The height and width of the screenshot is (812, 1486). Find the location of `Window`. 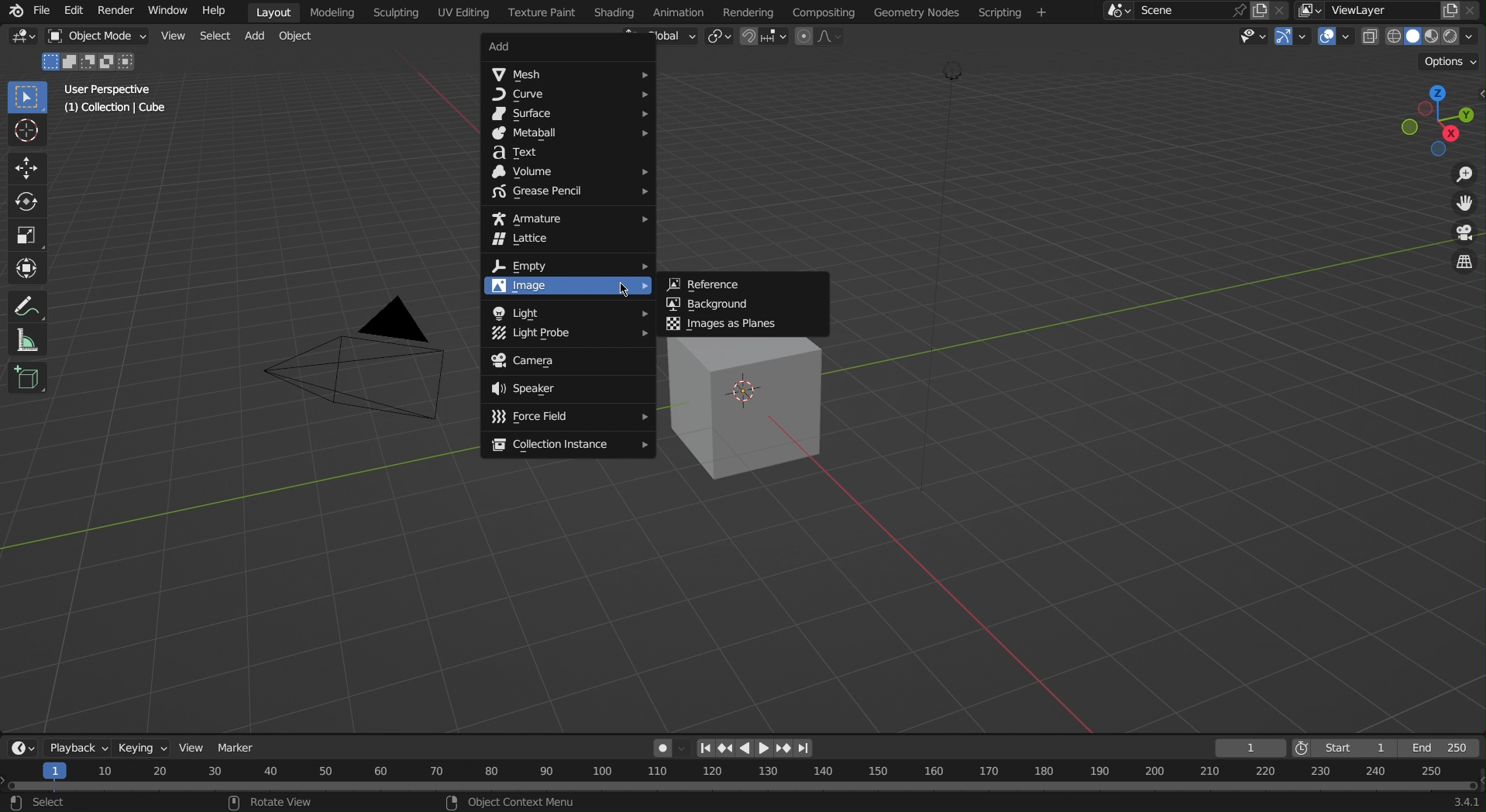

Window is located at coordinates (169, 12).